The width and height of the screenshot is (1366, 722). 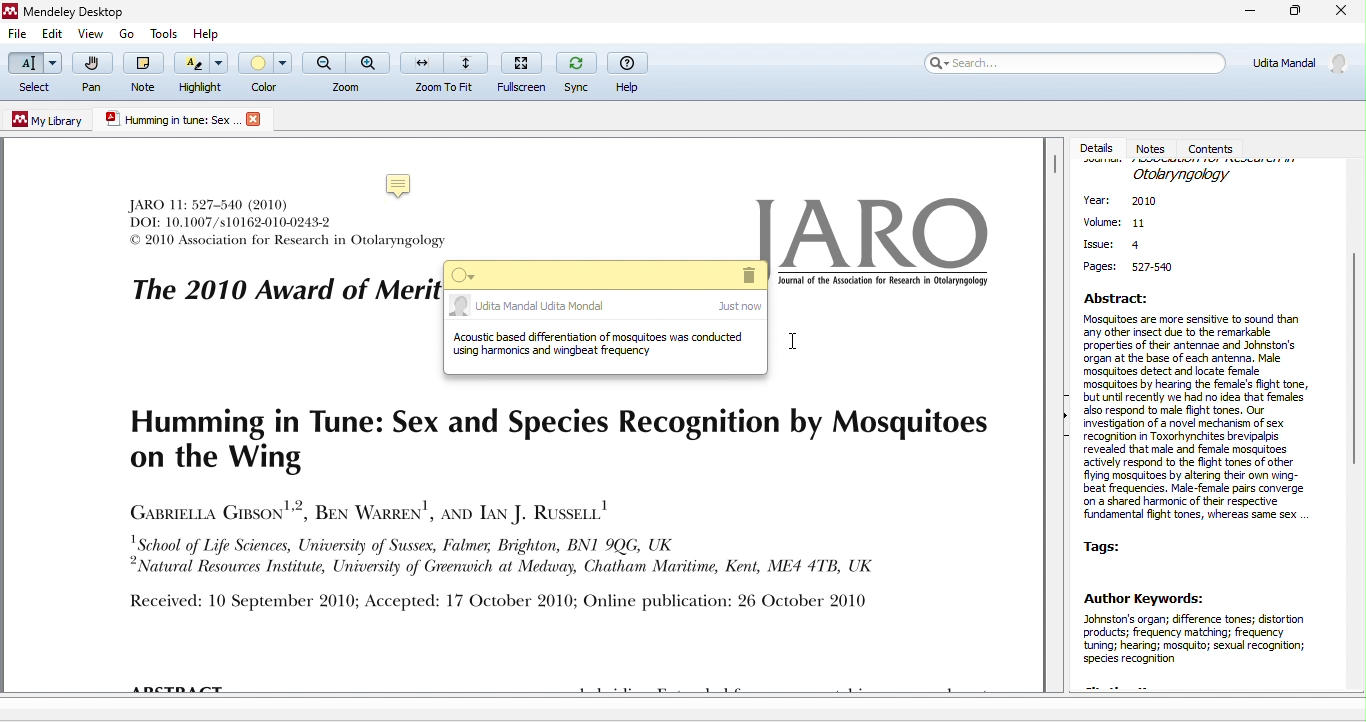 What do you see at coordinates (520, 72) in the screenshot?
I see `fullscreen` at bounding box center [520, 72].